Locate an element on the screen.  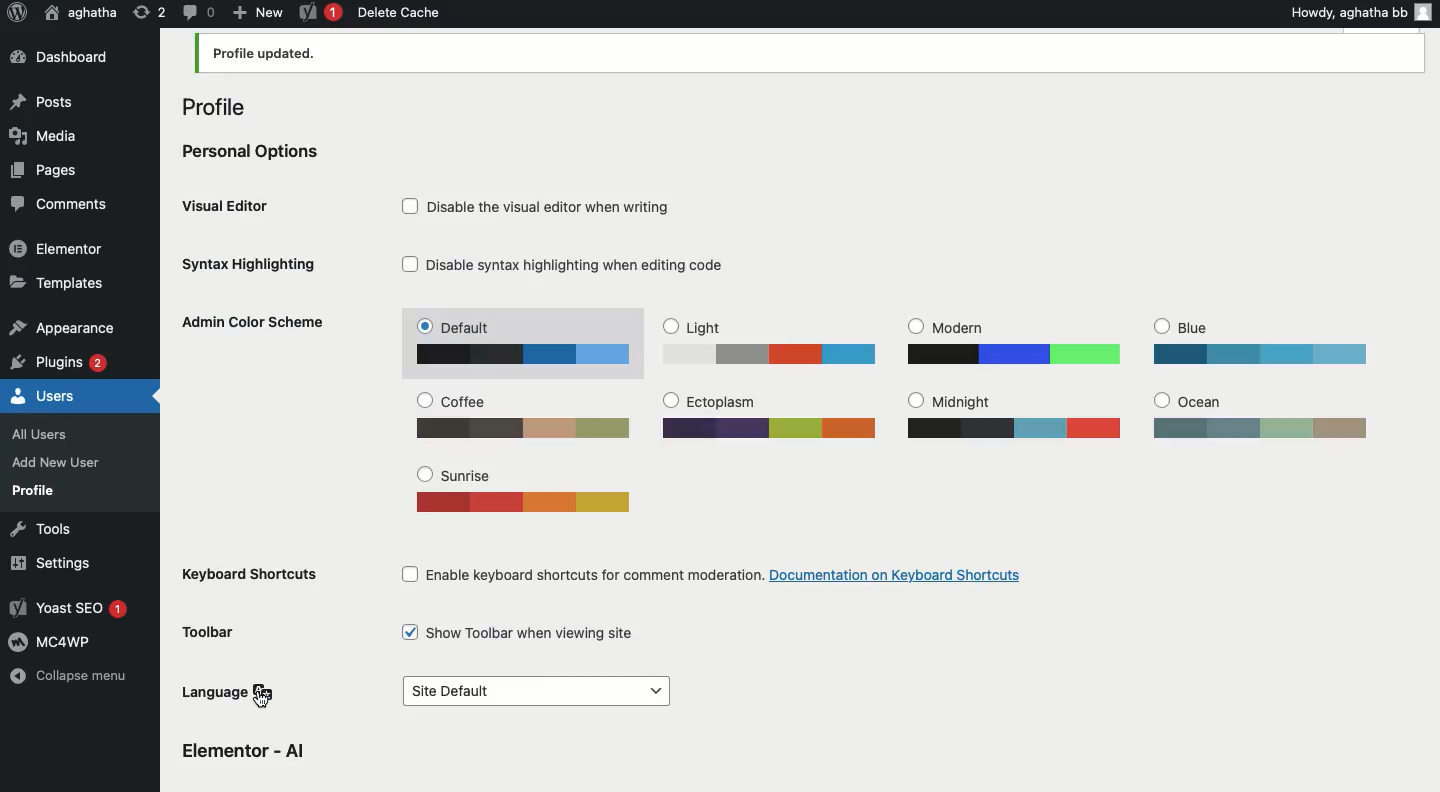
Keyboard shortcuts is located at coordinates (245, 574).